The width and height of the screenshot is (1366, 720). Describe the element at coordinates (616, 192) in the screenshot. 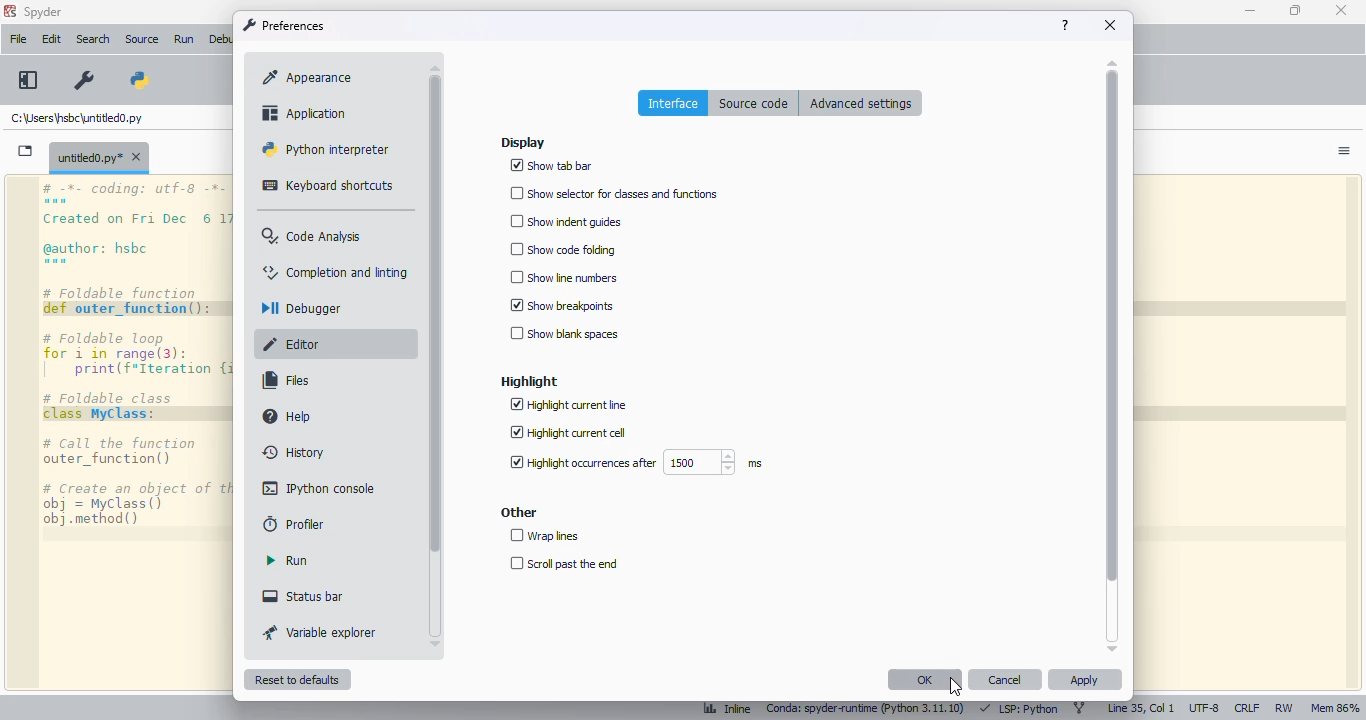

I see `show selector for classes and functions` at that location.